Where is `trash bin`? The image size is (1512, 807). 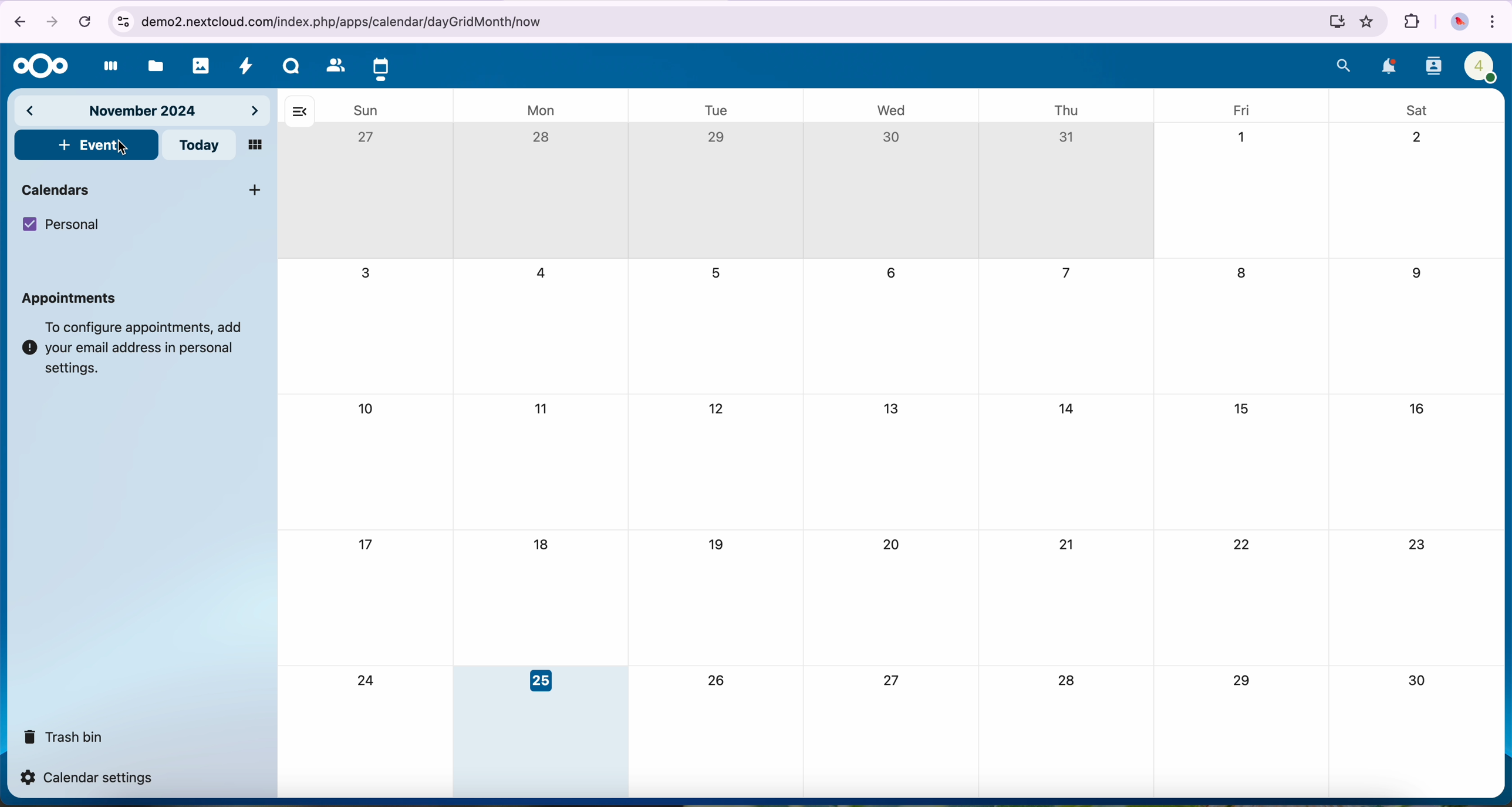 trash bin is located at coordinates (61, 735).